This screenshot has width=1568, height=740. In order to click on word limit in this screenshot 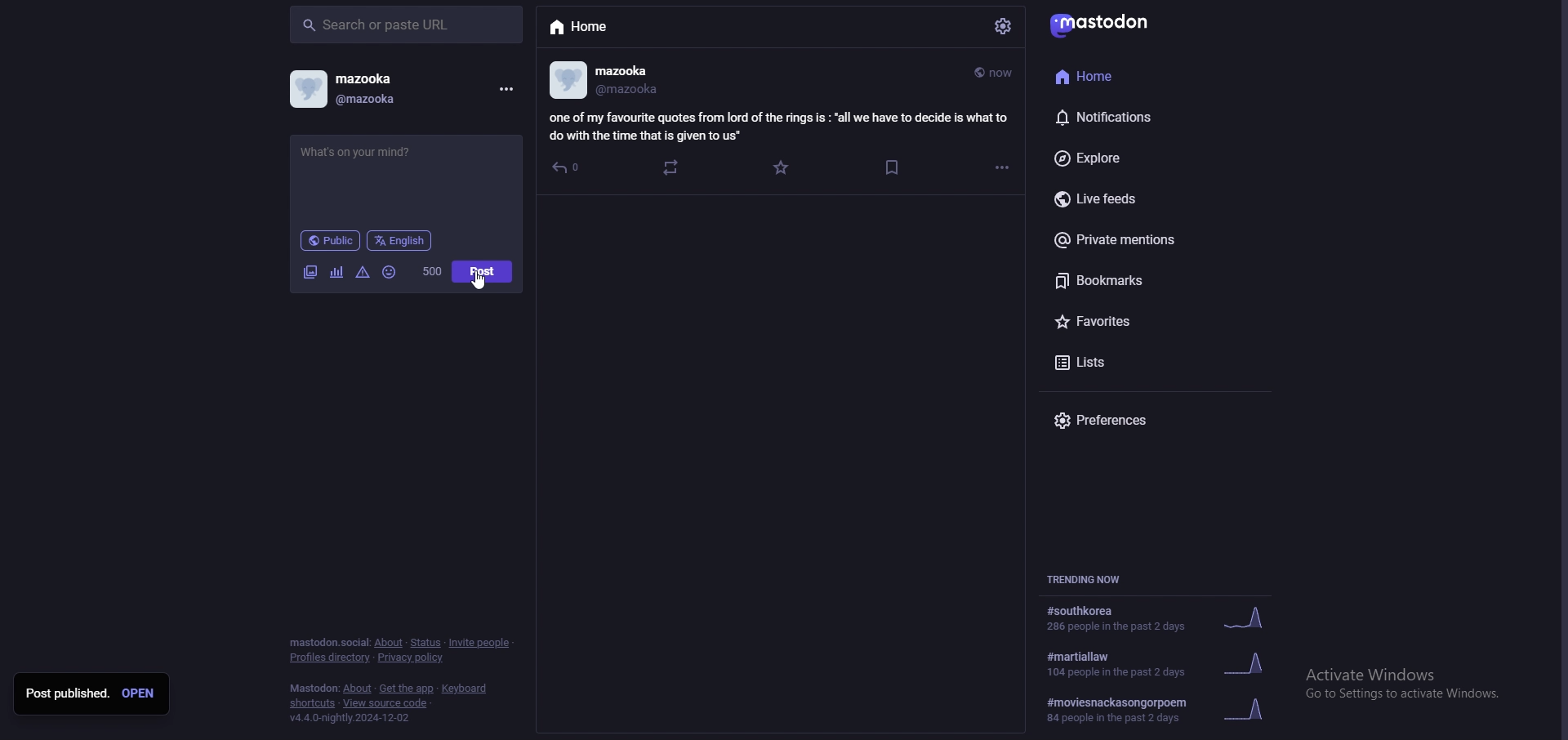, I will do `click(431, 271)`.